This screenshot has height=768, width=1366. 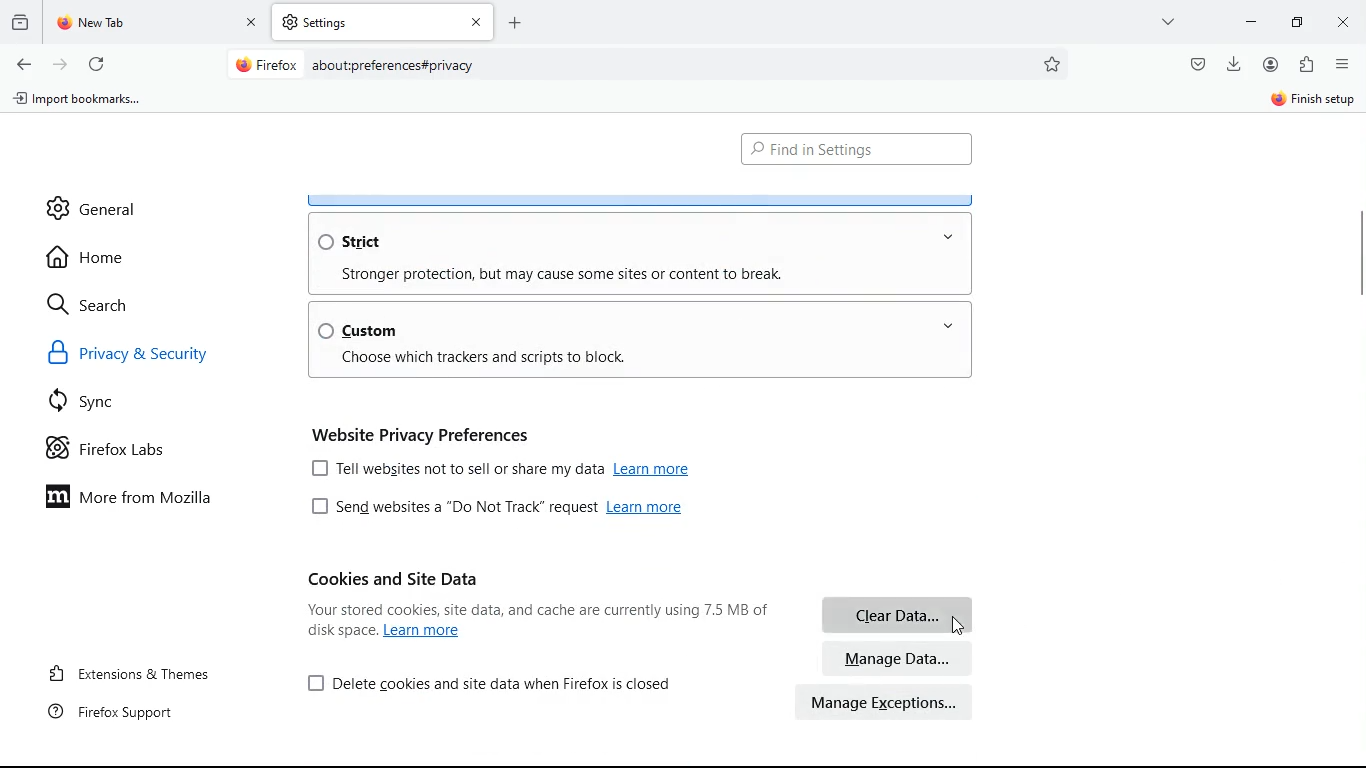 I want to click on minimize, so click(x=1302, y=21).